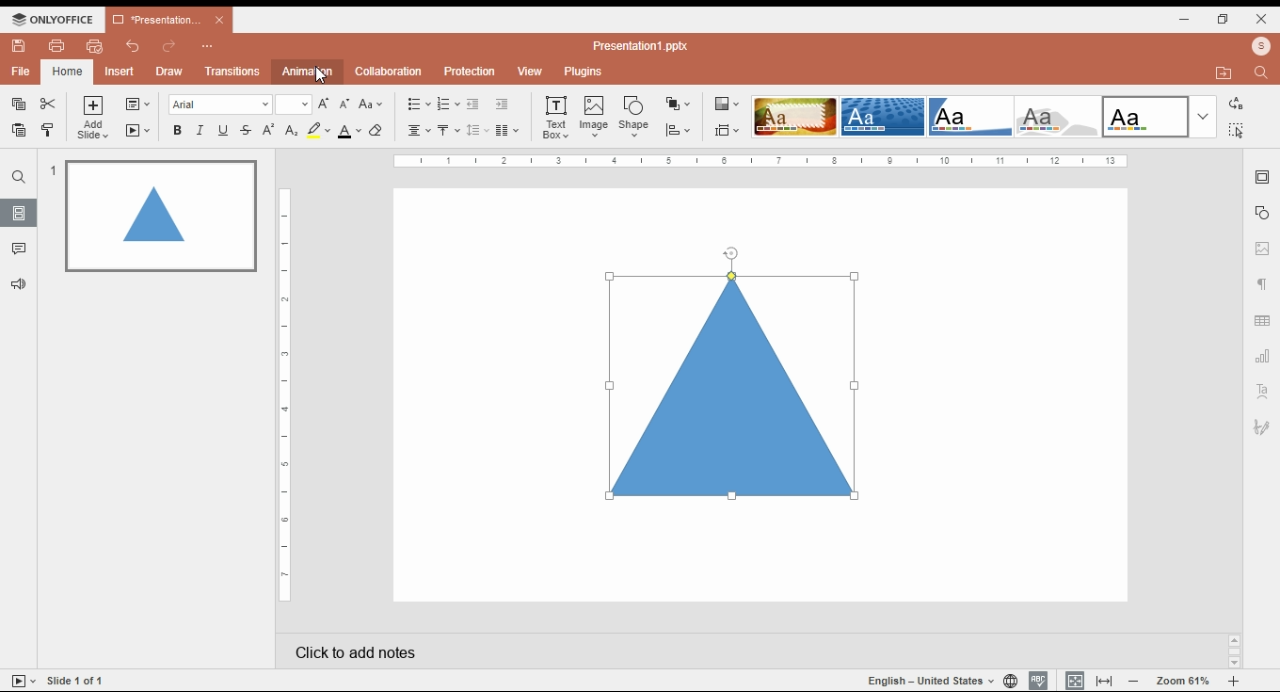  I want to click on find, so click(1236, 131).